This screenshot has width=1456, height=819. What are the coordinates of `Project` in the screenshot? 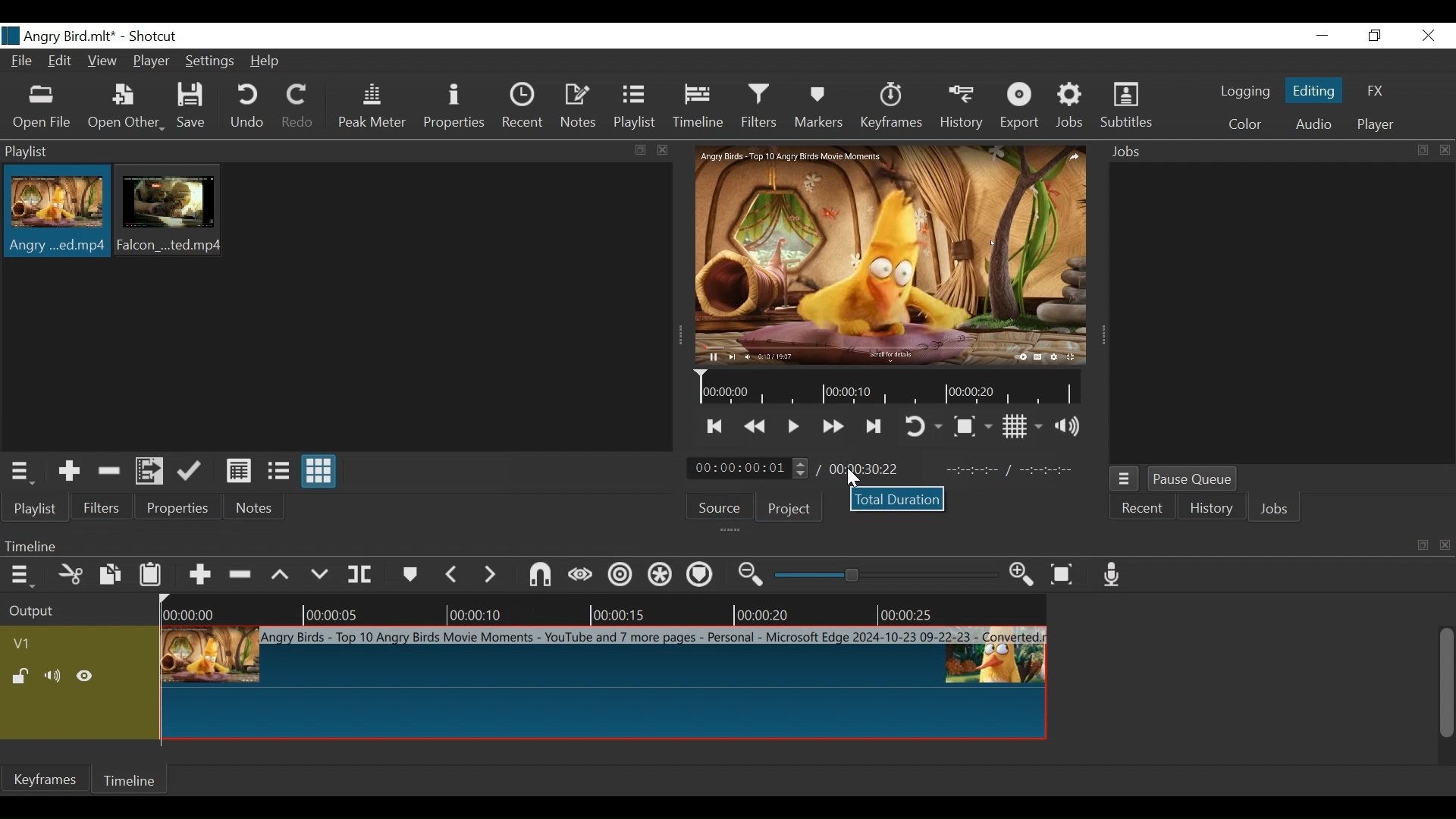 It's located at (789, 507).